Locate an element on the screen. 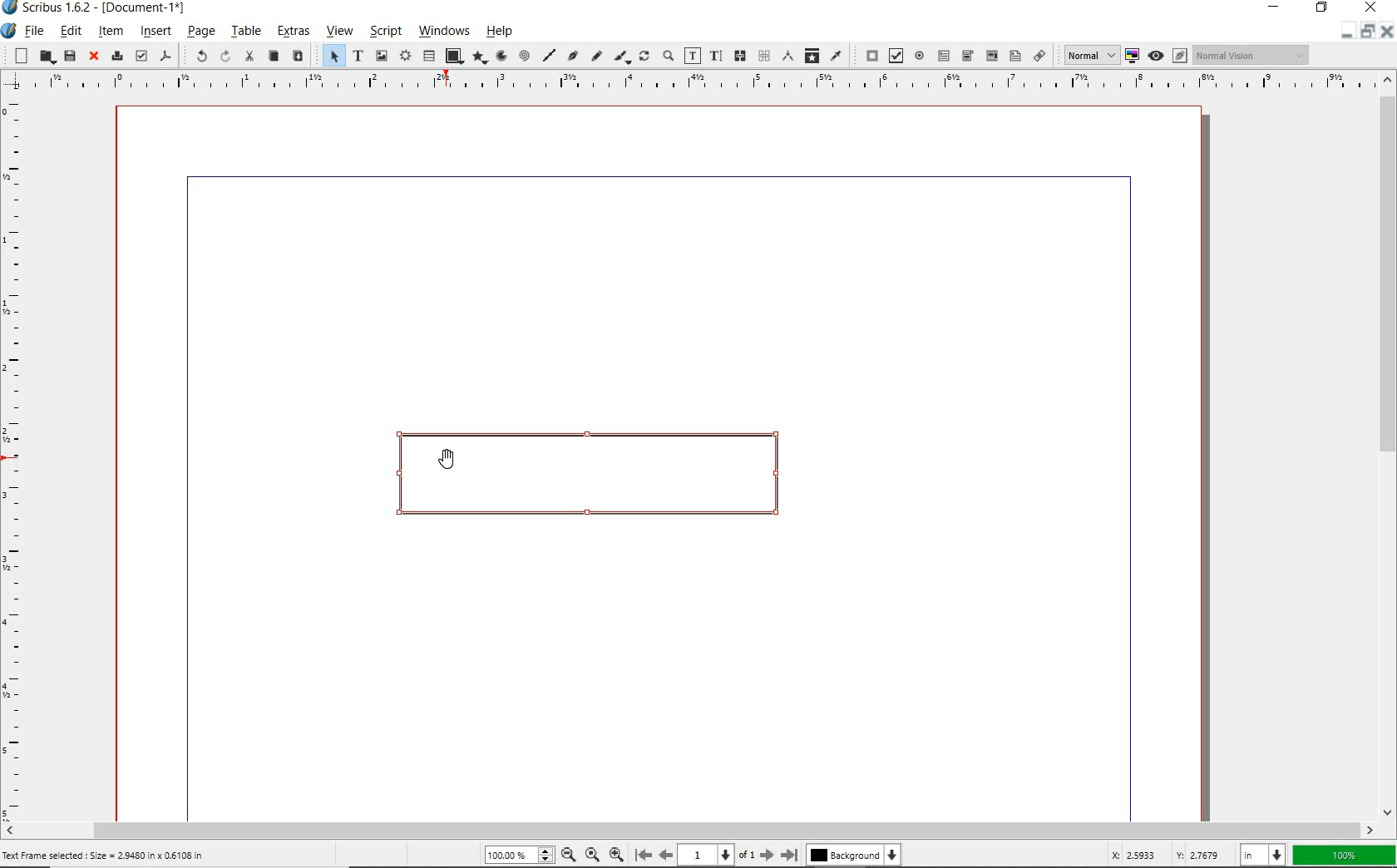 This screenshot has height=868, width=1397. scrollbar is located at coordinates (689, 830).